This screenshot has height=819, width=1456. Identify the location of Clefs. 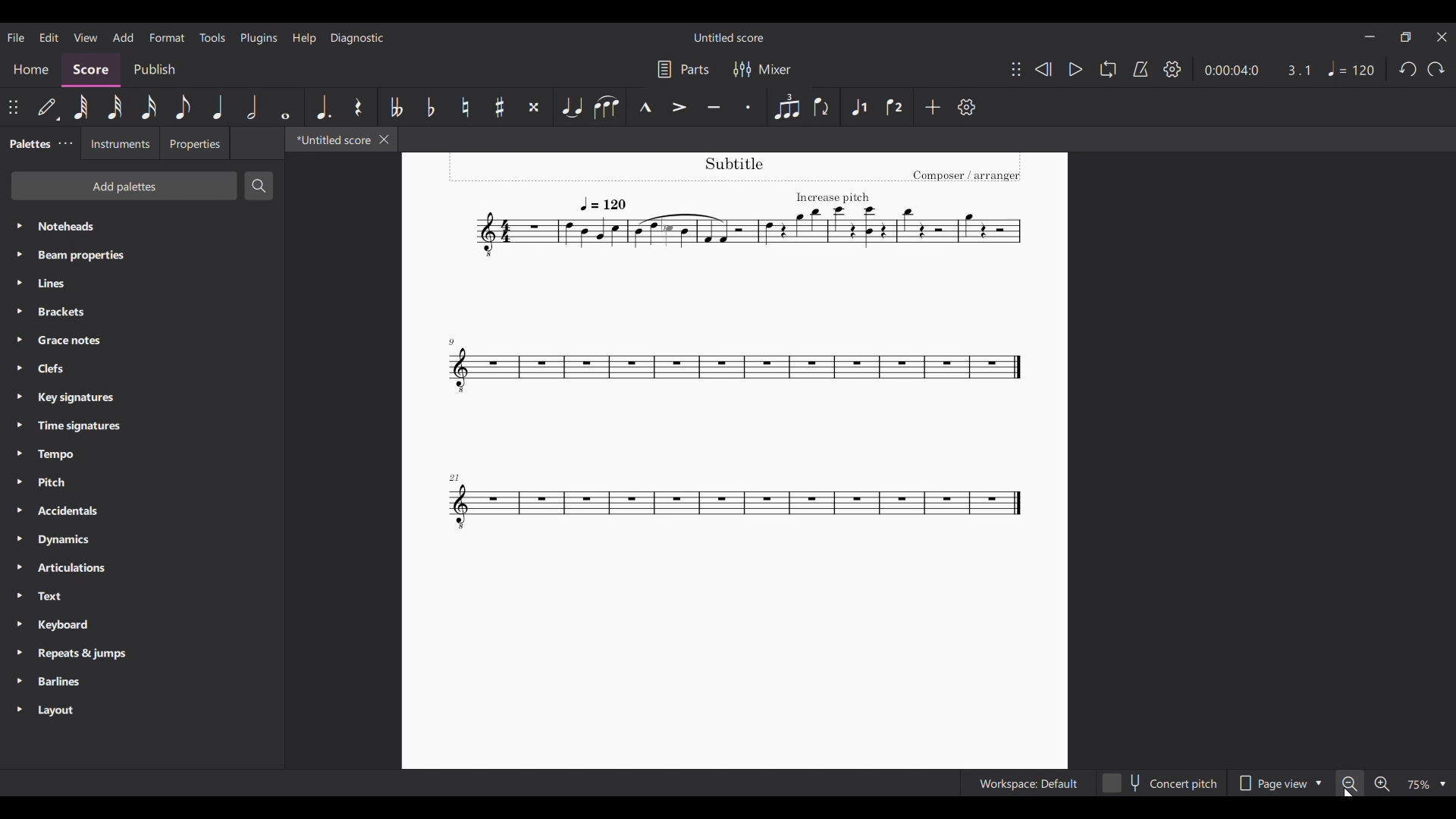
(142, 369).